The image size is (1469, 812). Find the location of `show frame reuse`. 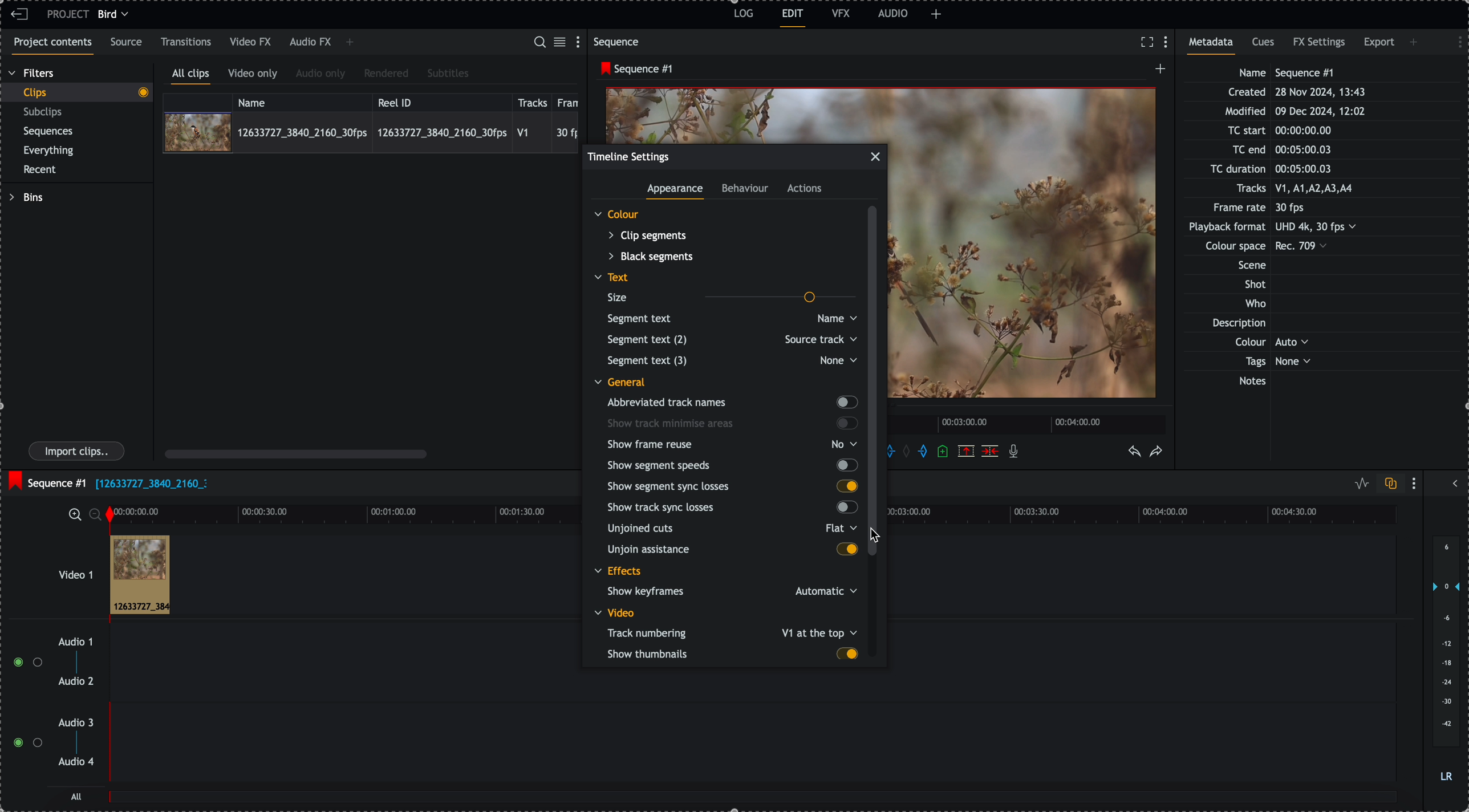

show frame reuse is located at coordinates (731, 446).